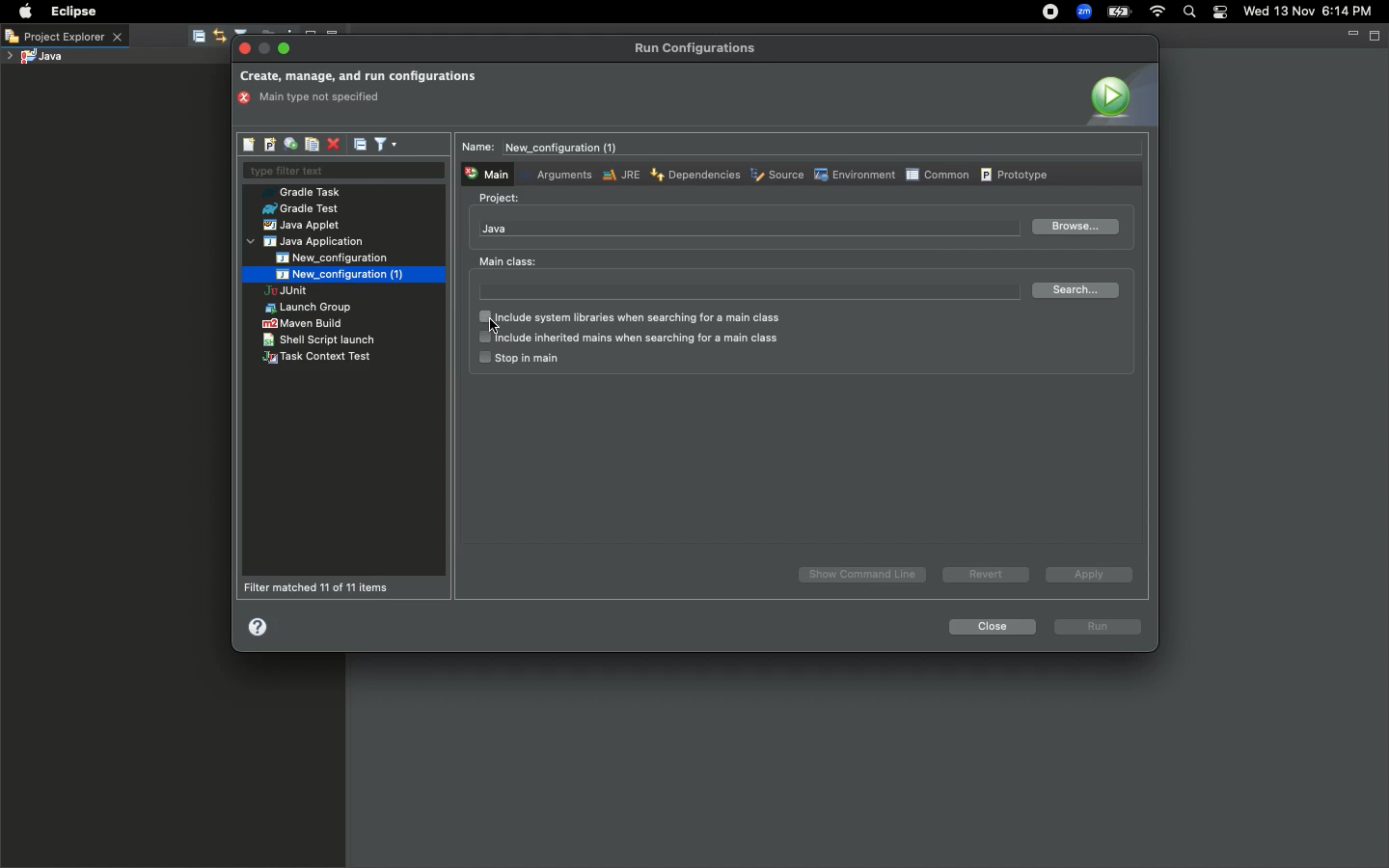 The height and width of the screenshot is (868, 1389). I want to click on Maven build, so click(302, 323).